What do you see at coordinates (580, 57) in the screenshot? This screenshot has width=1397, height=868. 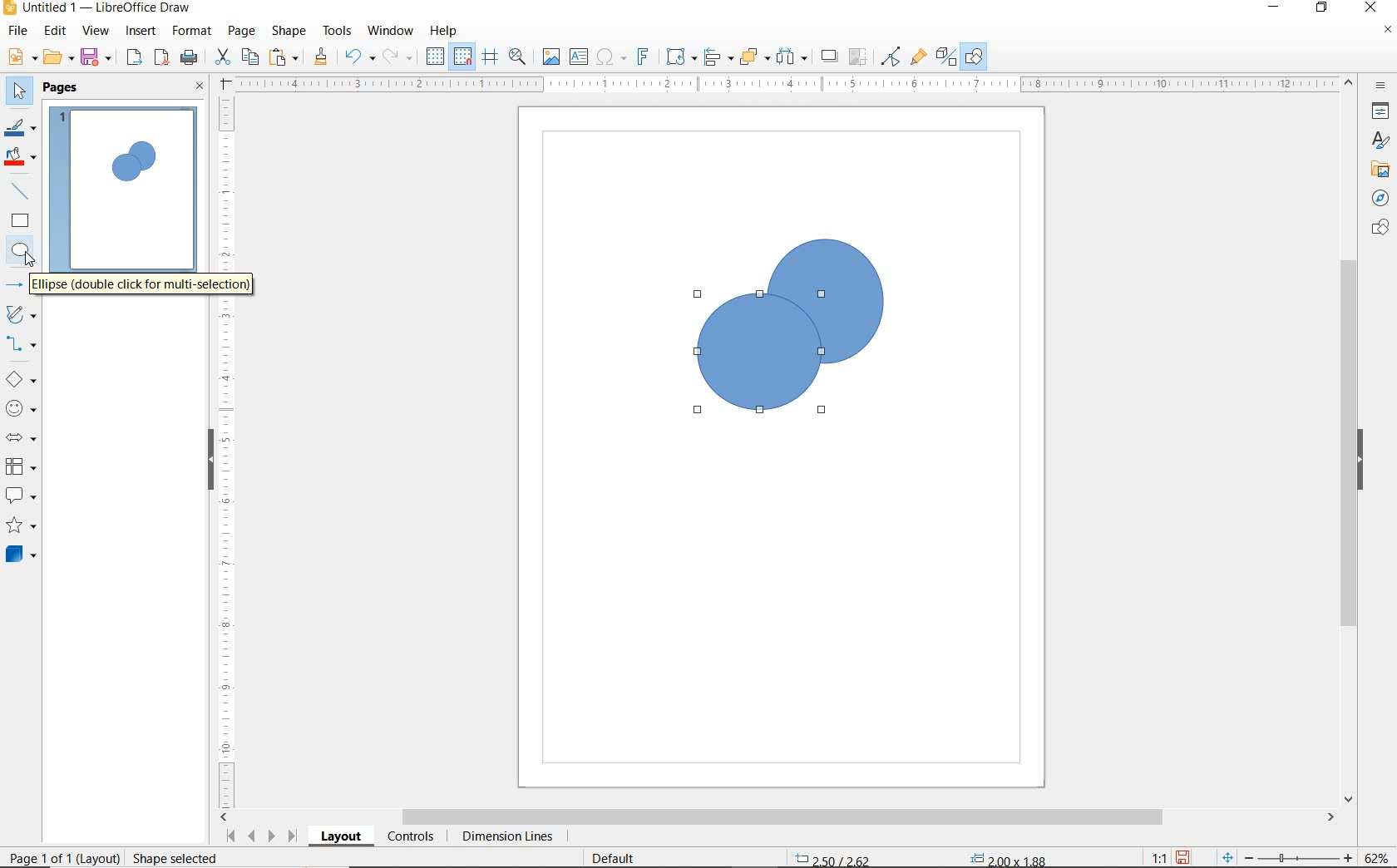 I see `INSERT TEXT BOX` at bounding box center [580, 57].